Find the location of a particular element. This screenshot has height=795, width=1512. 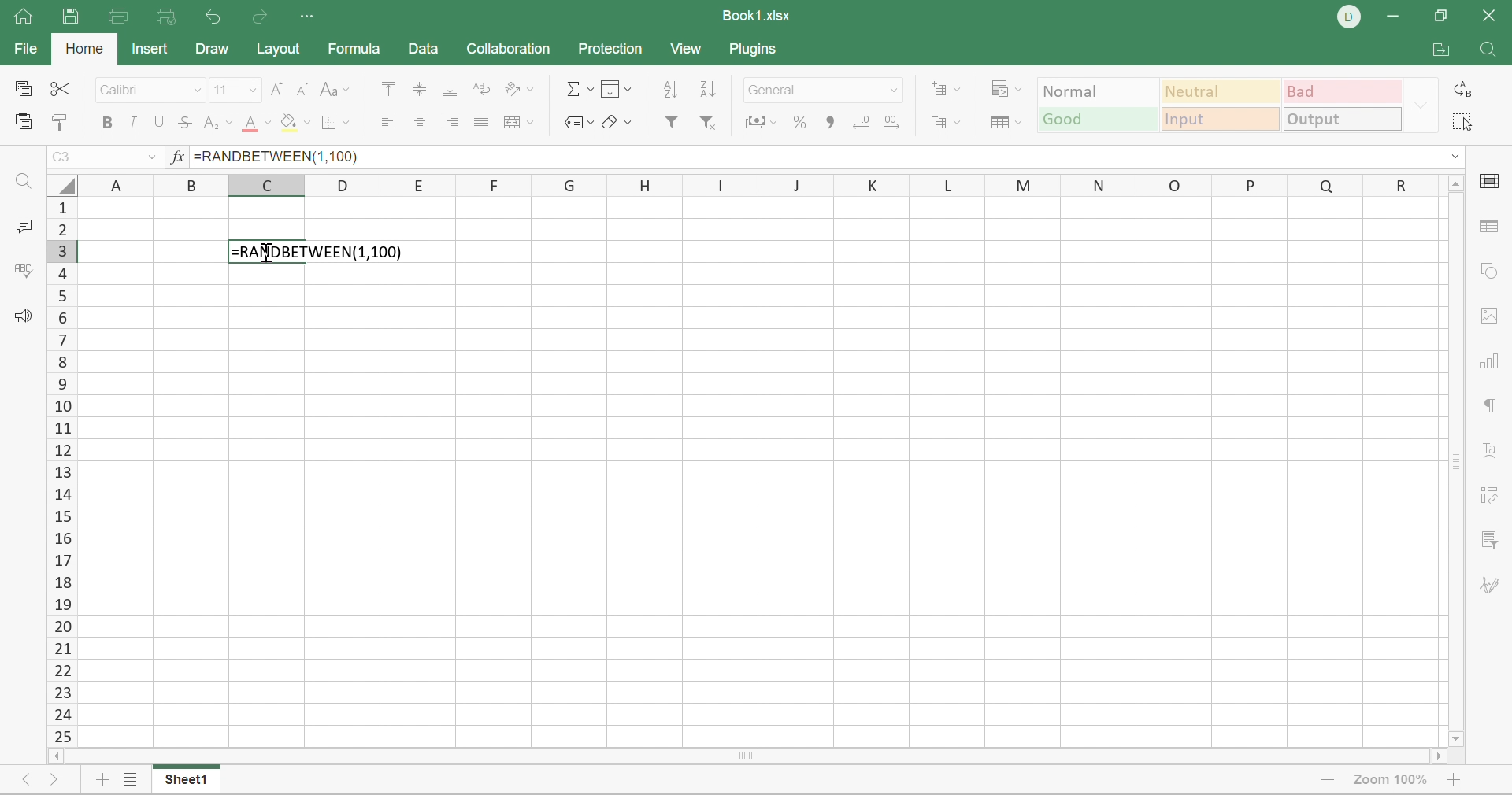

Delete cells is located at coordinates (948, 124).